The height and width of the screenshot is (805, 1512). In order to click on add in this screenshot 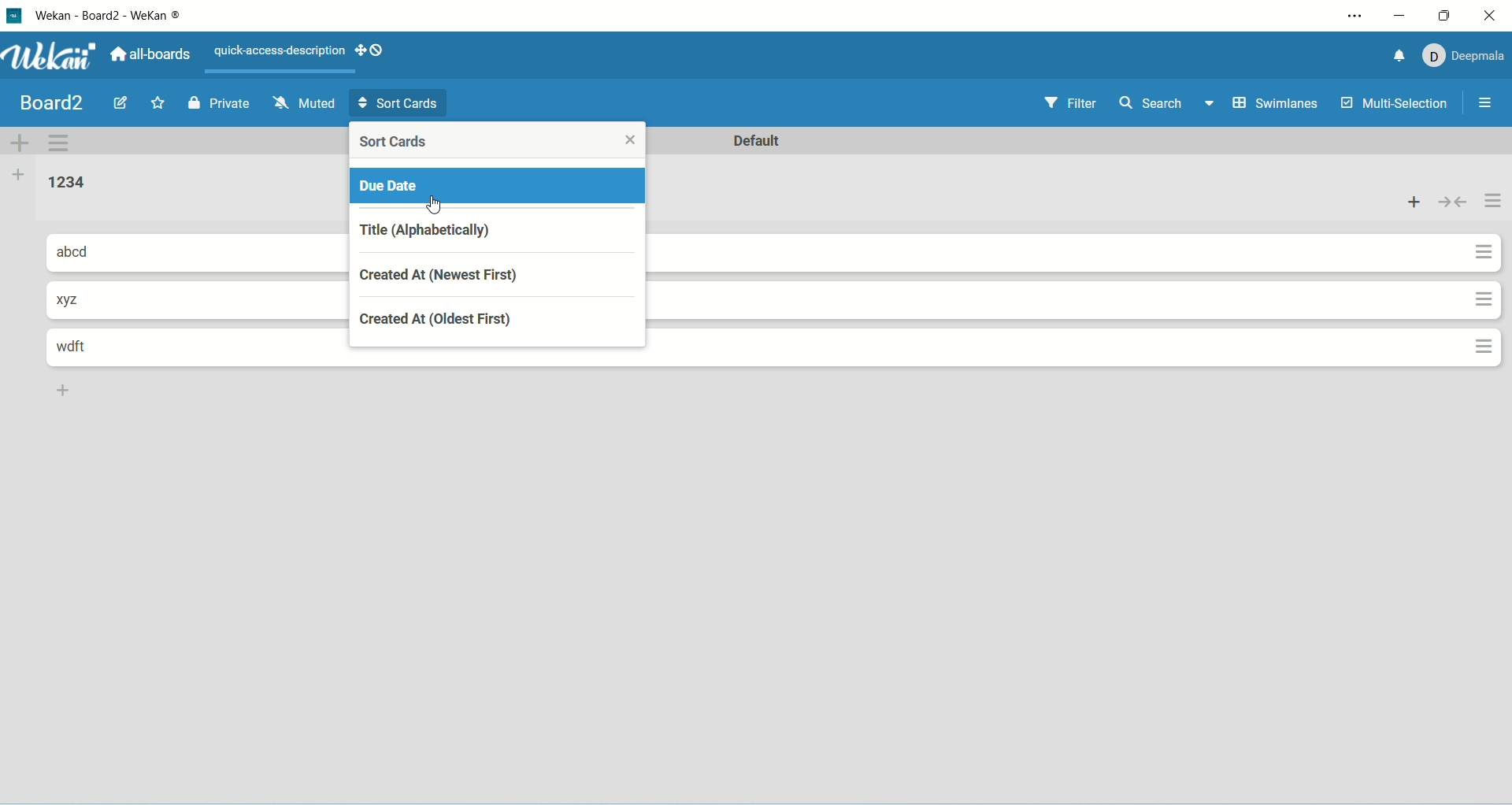, I will do `click(1414, 203)`.